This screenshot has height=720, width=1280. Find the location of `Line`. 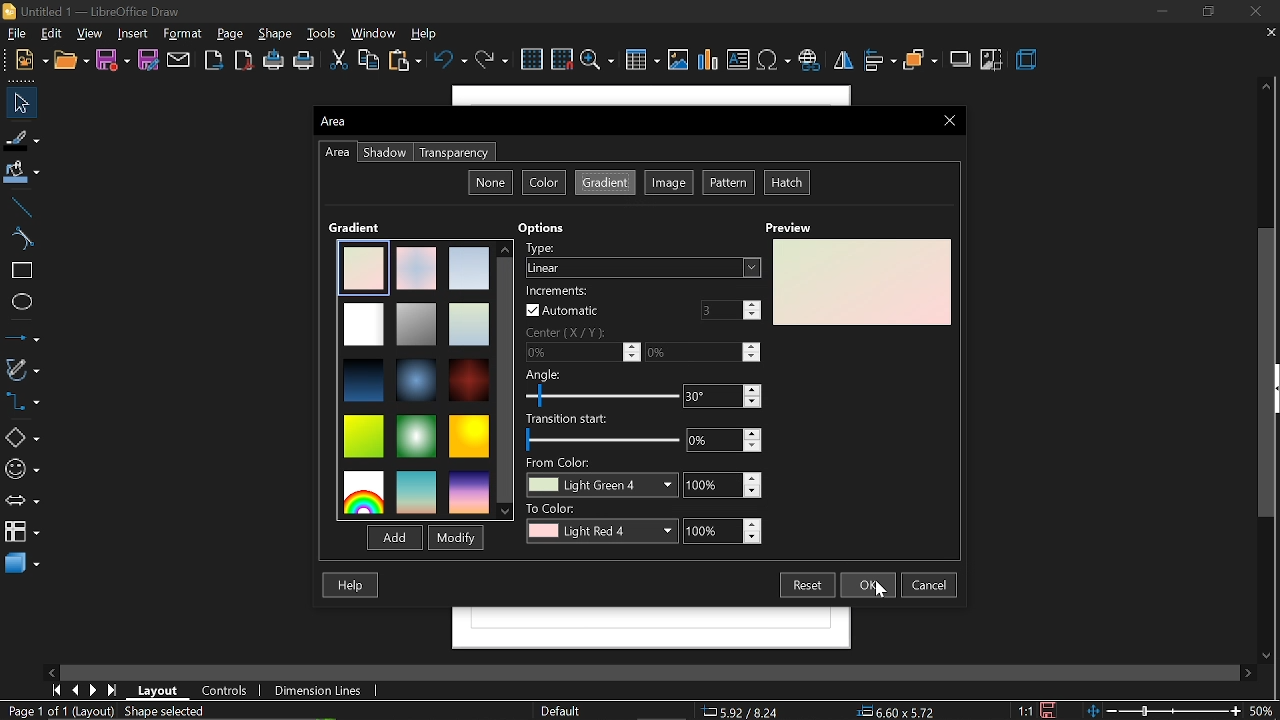

Line is located at coordinates (18, 205).